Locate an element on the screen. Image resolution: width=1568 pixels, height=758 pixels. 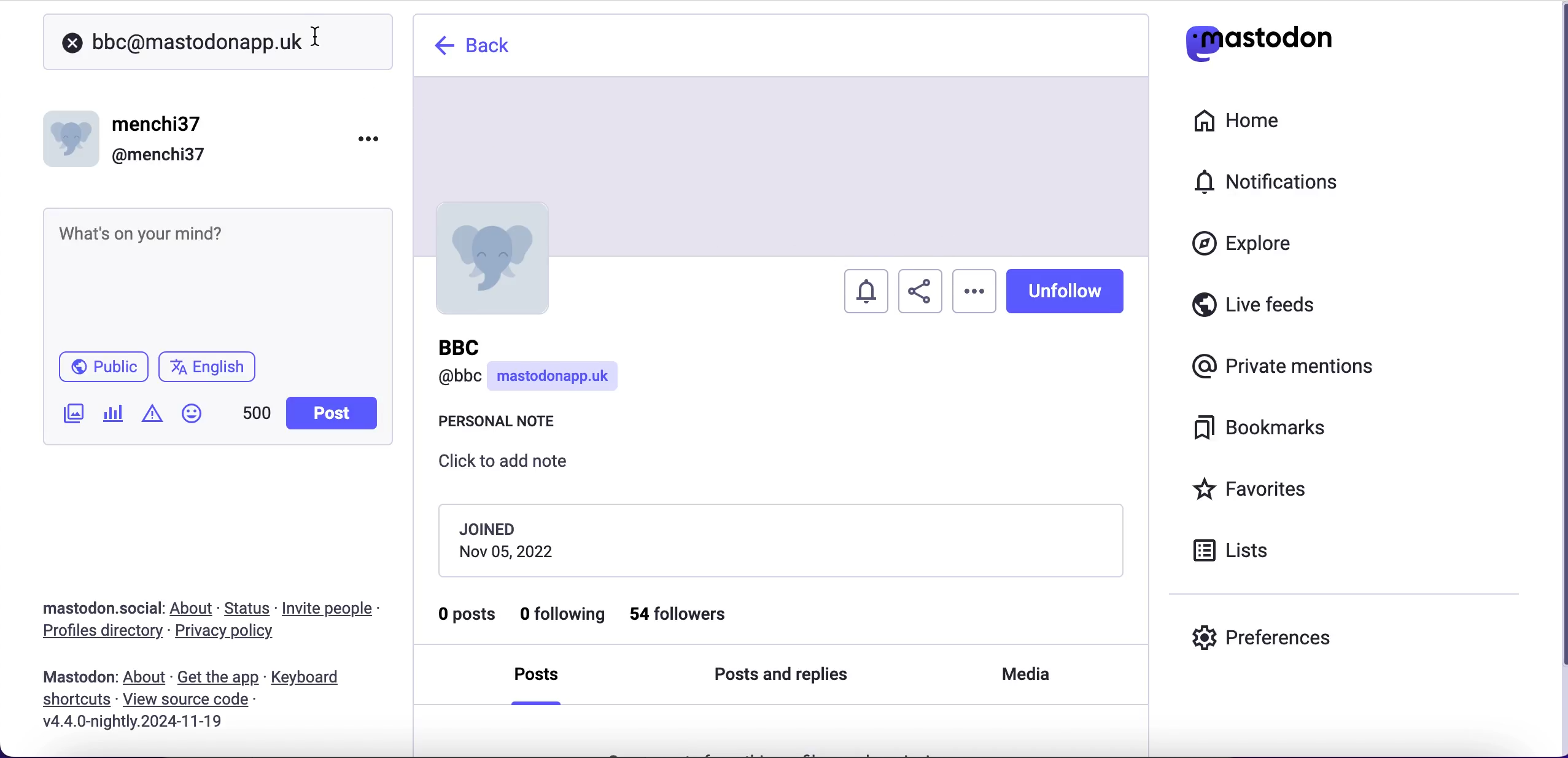
media is located at coordinates (1029, 679).